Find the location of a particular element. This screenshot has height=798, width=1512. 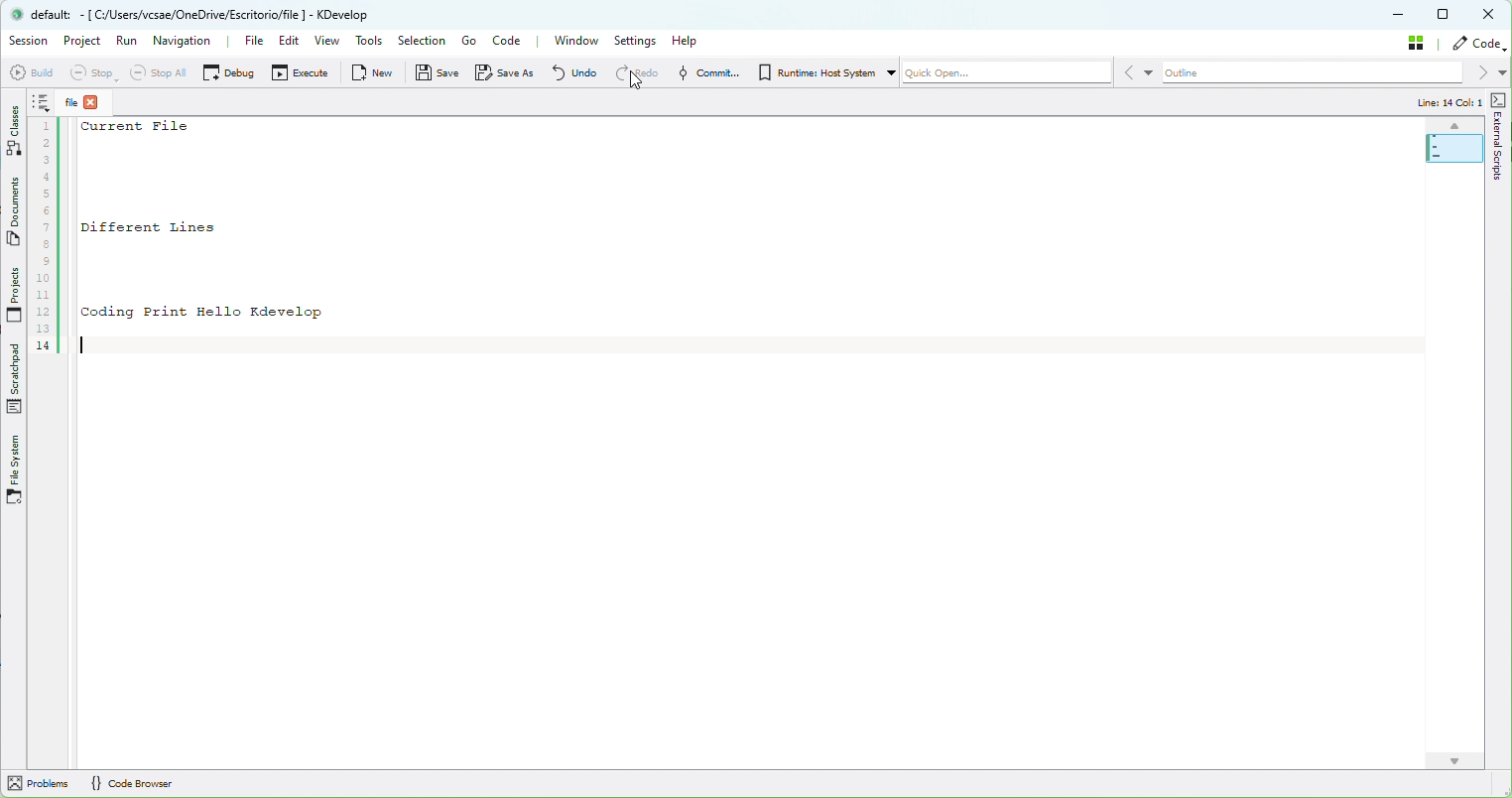

File is located at coordinates (89, 99).